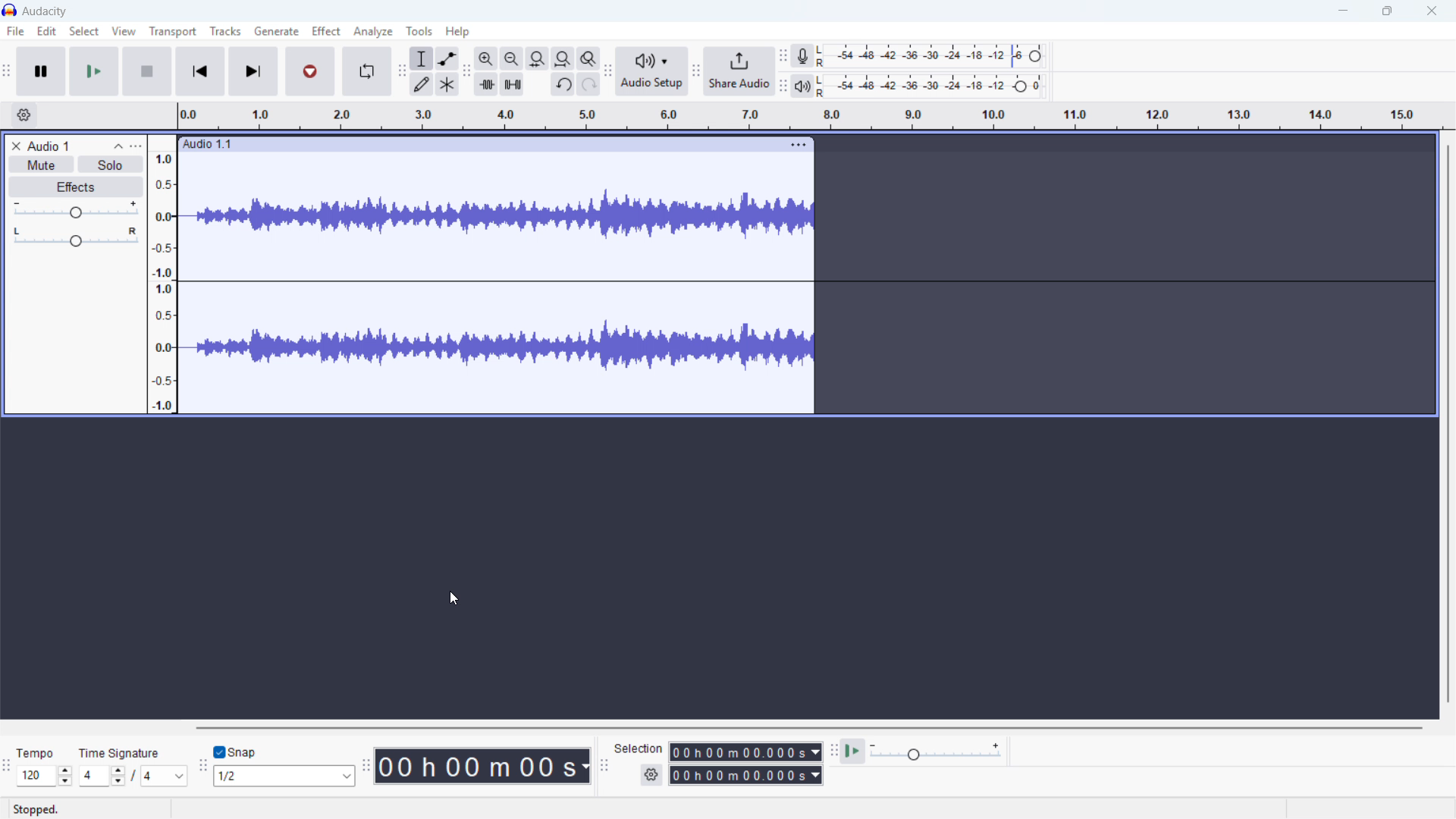 This screenshot has height=819, width=1456. What do you see at coordinates (447, 84) in the screenshot?
I see `Multi - tool ` at bounding box center [447, 84].